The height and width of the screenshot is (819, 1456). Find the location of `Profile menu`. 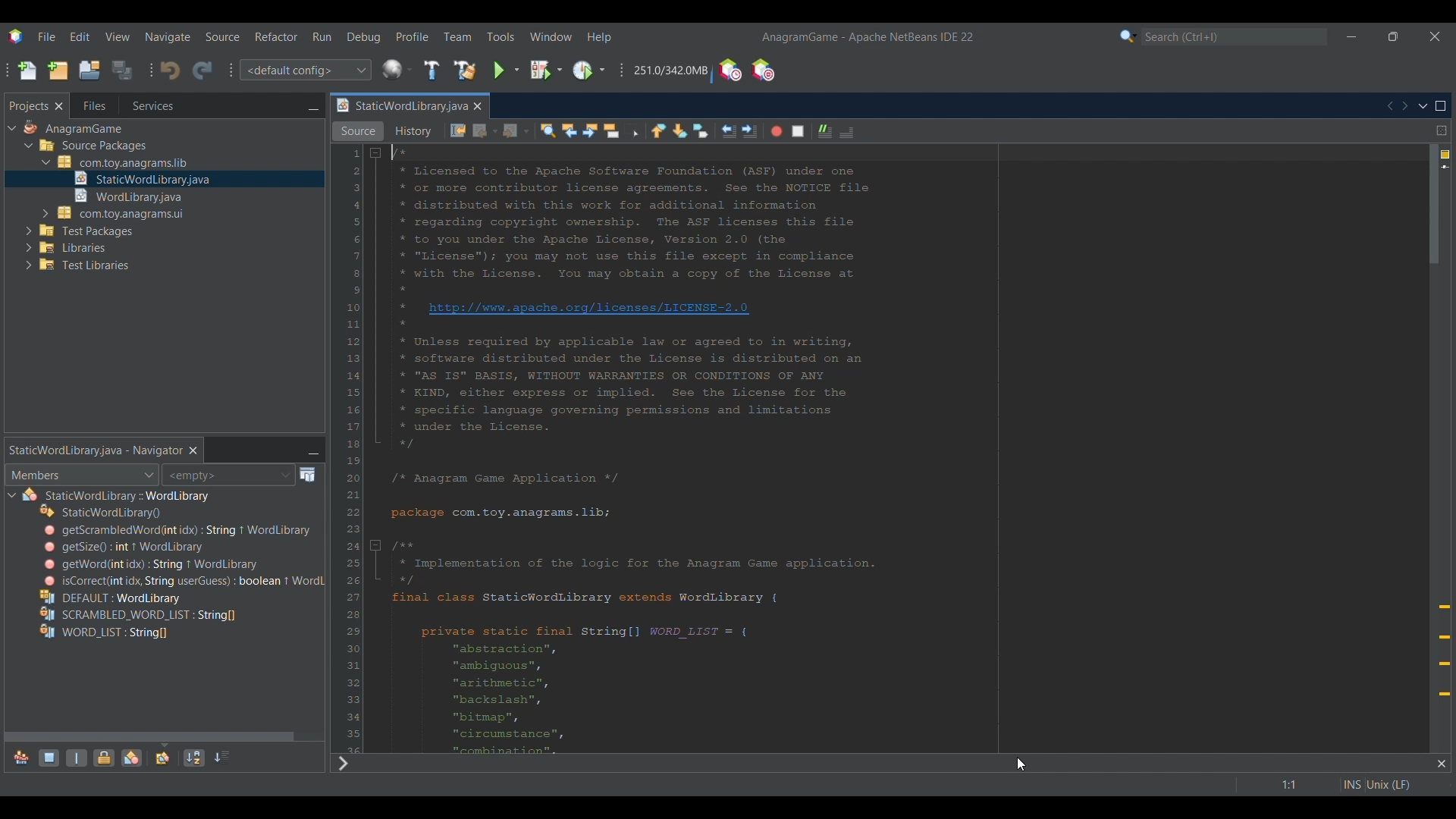

Profile menu is located at coordinates (413, 36).